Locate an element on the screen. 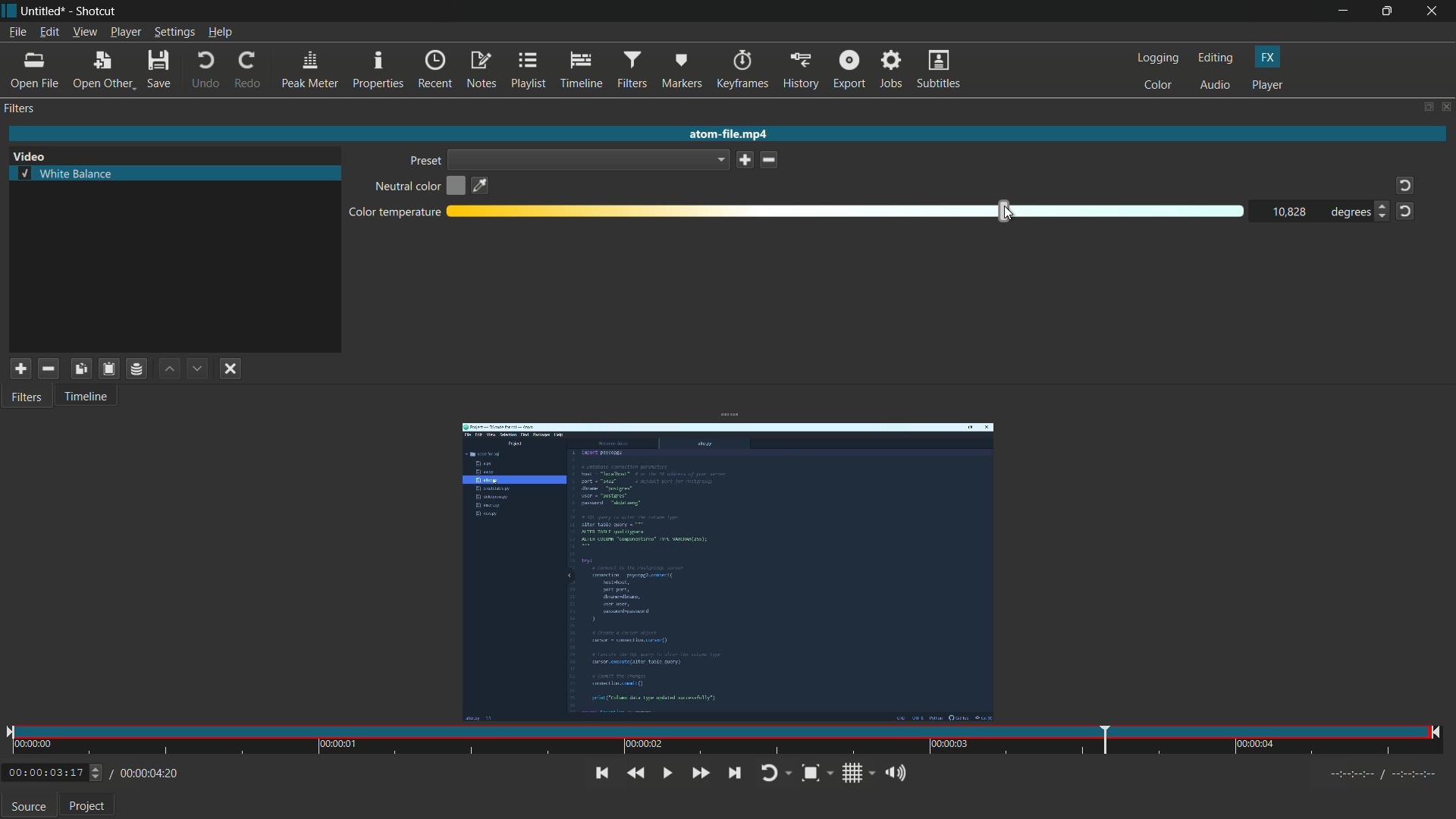 The height and width of the screenshot is (819, 1456). add filter is located at coordinates (20, 370).